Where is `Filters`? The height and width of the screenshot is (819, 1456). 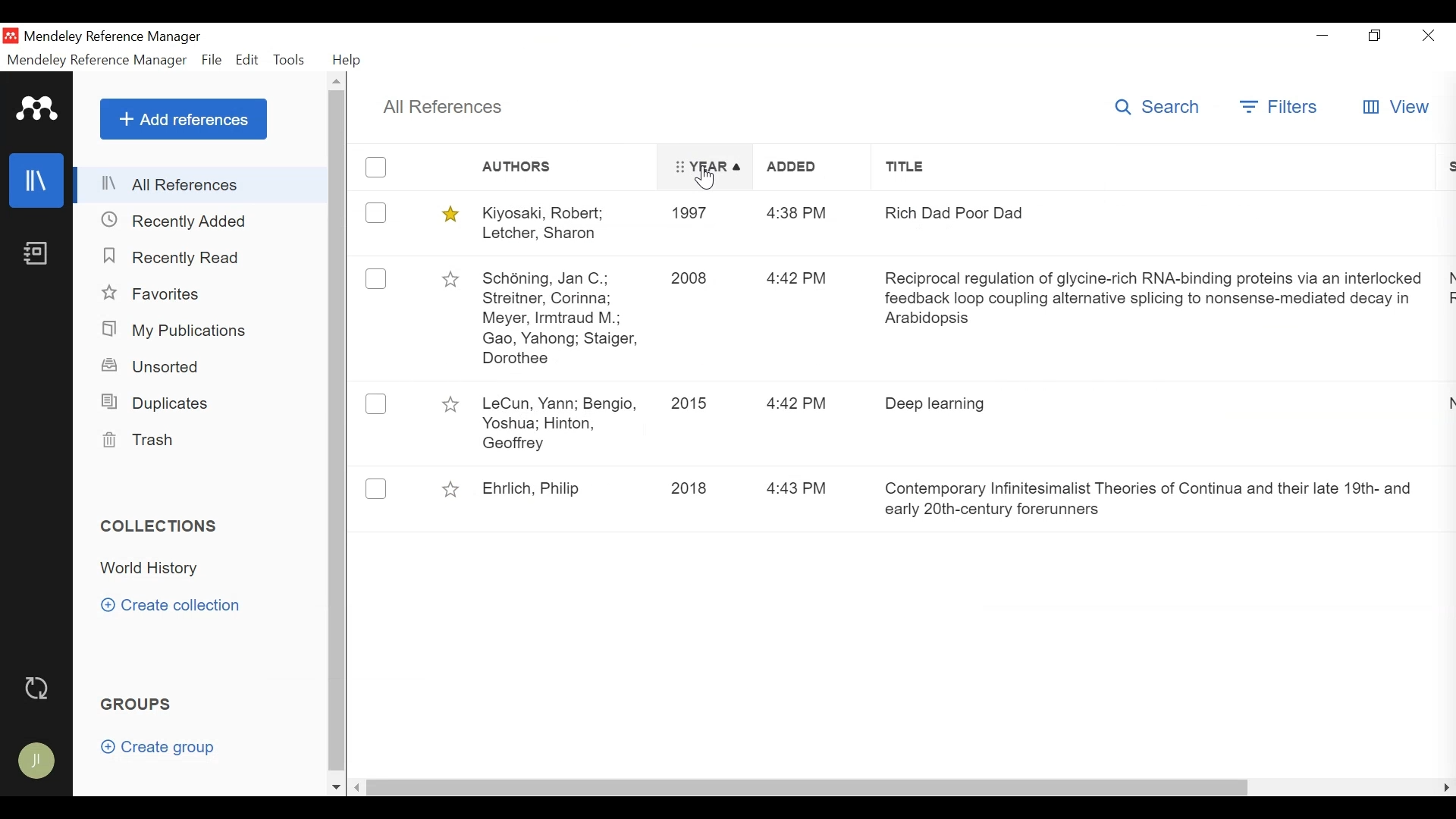 Filters is located at coordinates (1279, 106).